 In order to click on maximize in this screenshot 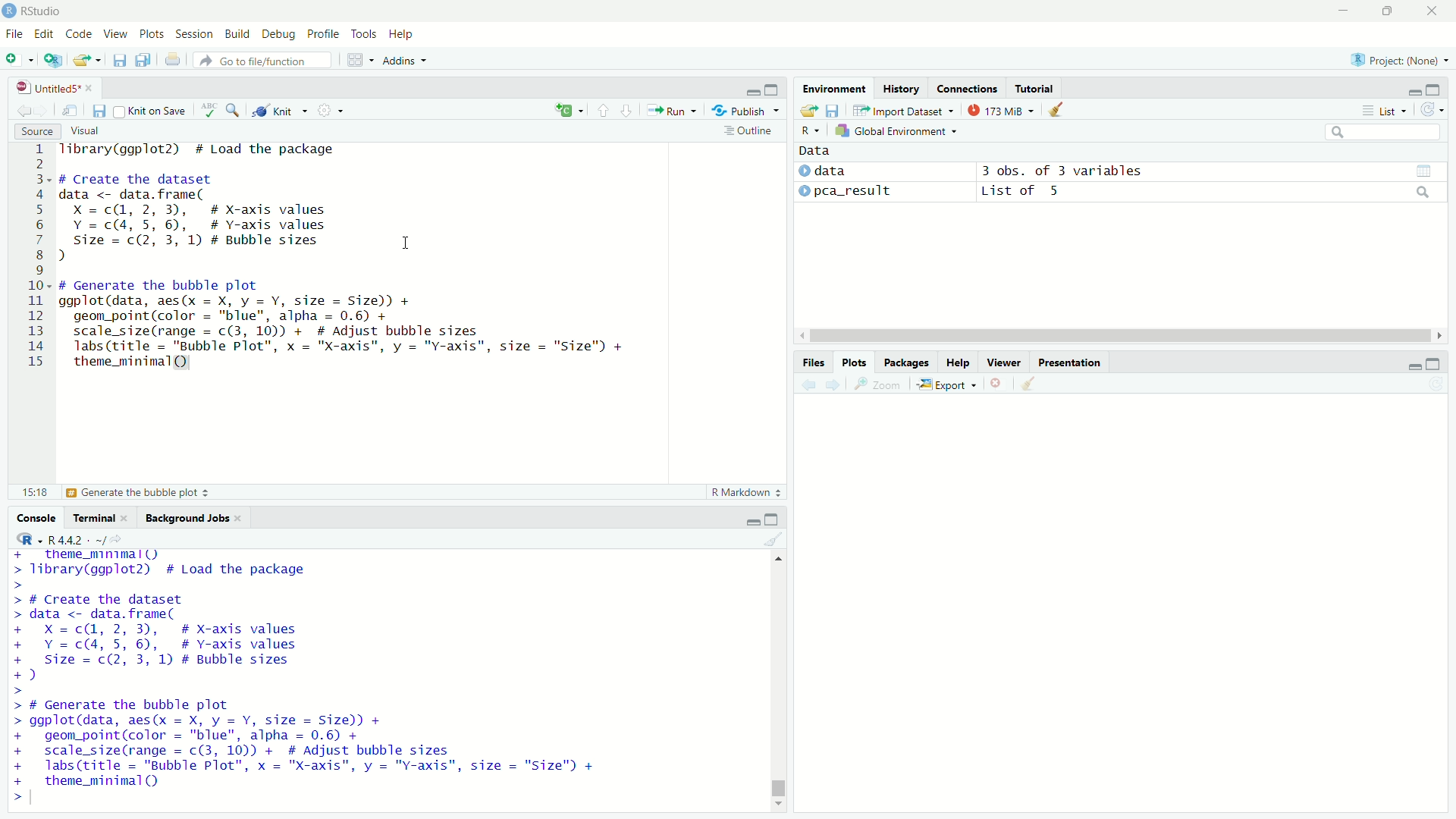, I will do `click(1436, 363)`.